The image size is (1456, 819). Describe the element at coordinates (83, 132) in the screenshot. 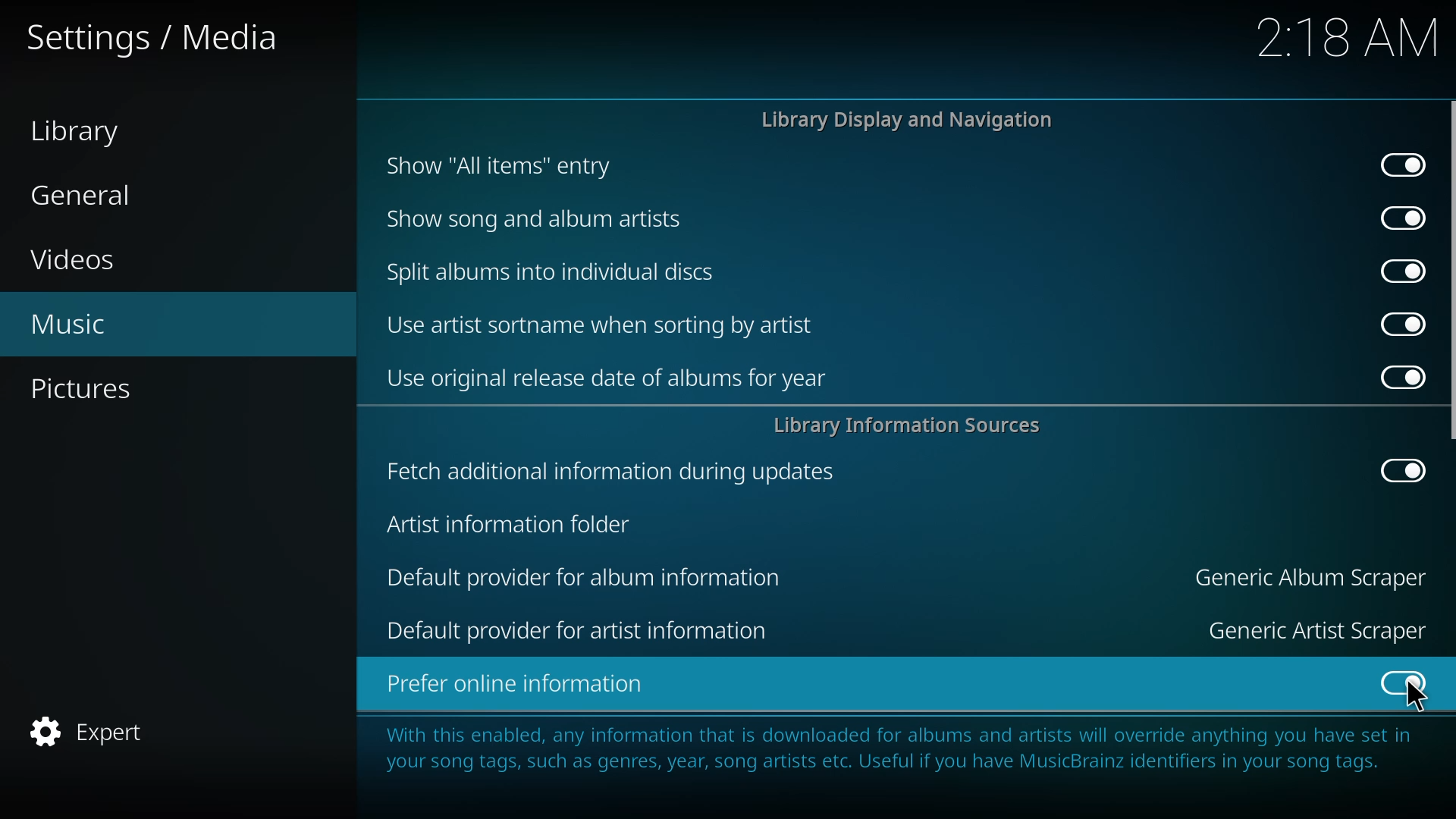

I see `library` at that location.